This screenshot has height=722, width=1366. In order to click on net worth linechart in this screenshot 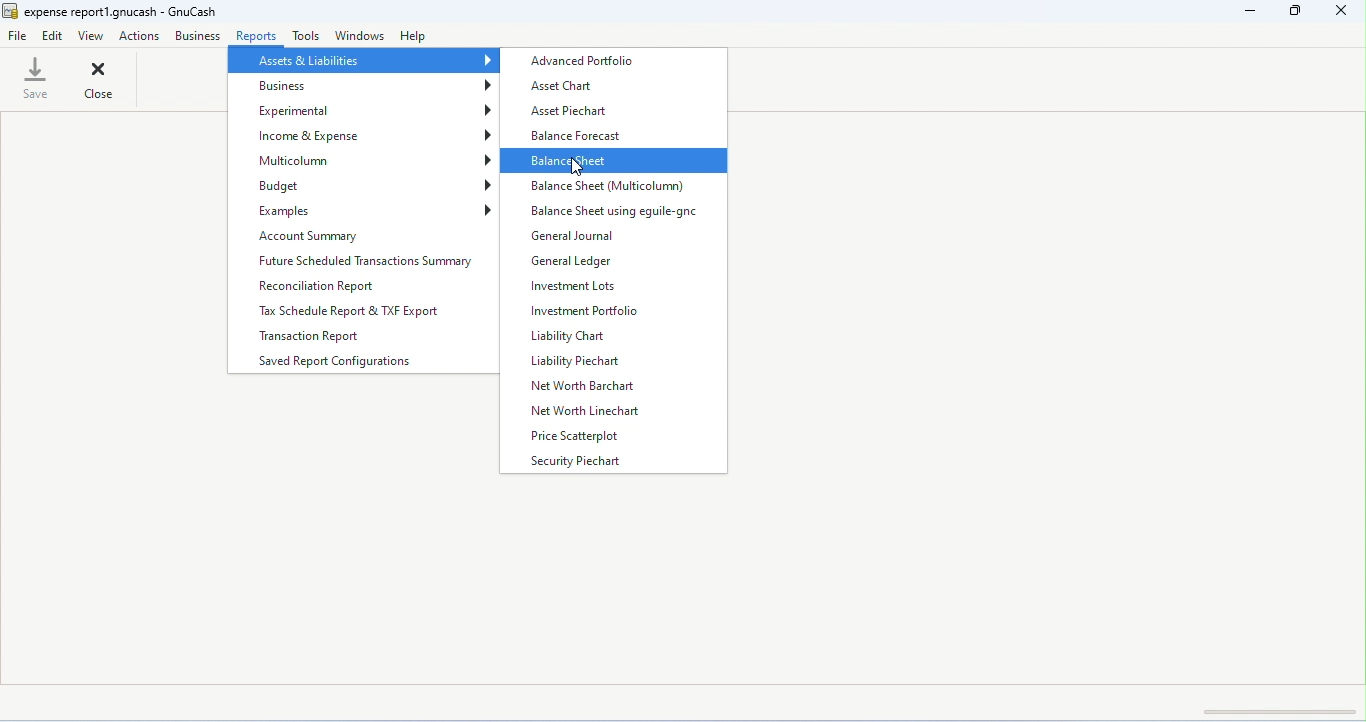, I will do `click(598, 413)`.